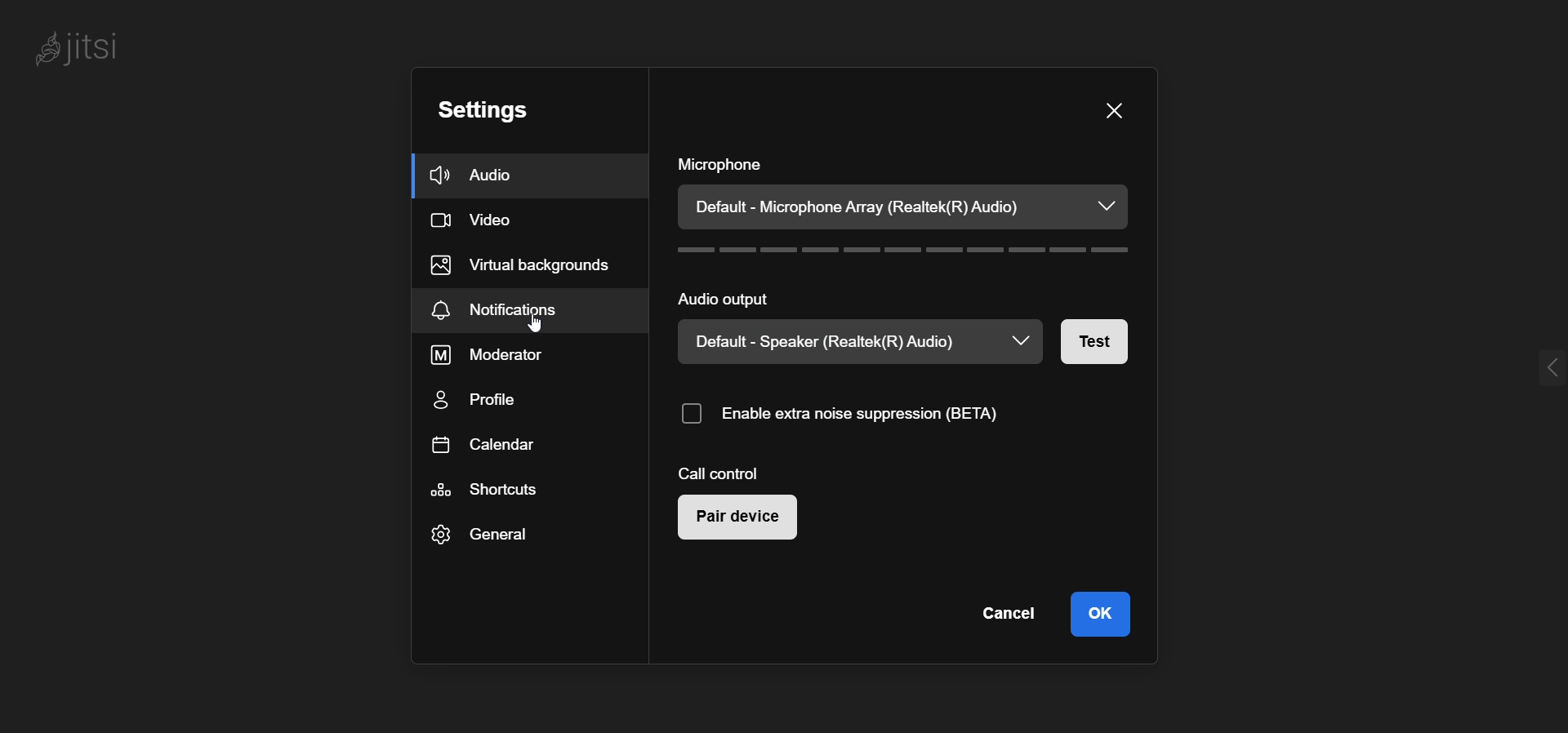  What do you see at coordinates (89, 47) in the screenshot?
I see `jitsi` at bounding box center [89, 47].